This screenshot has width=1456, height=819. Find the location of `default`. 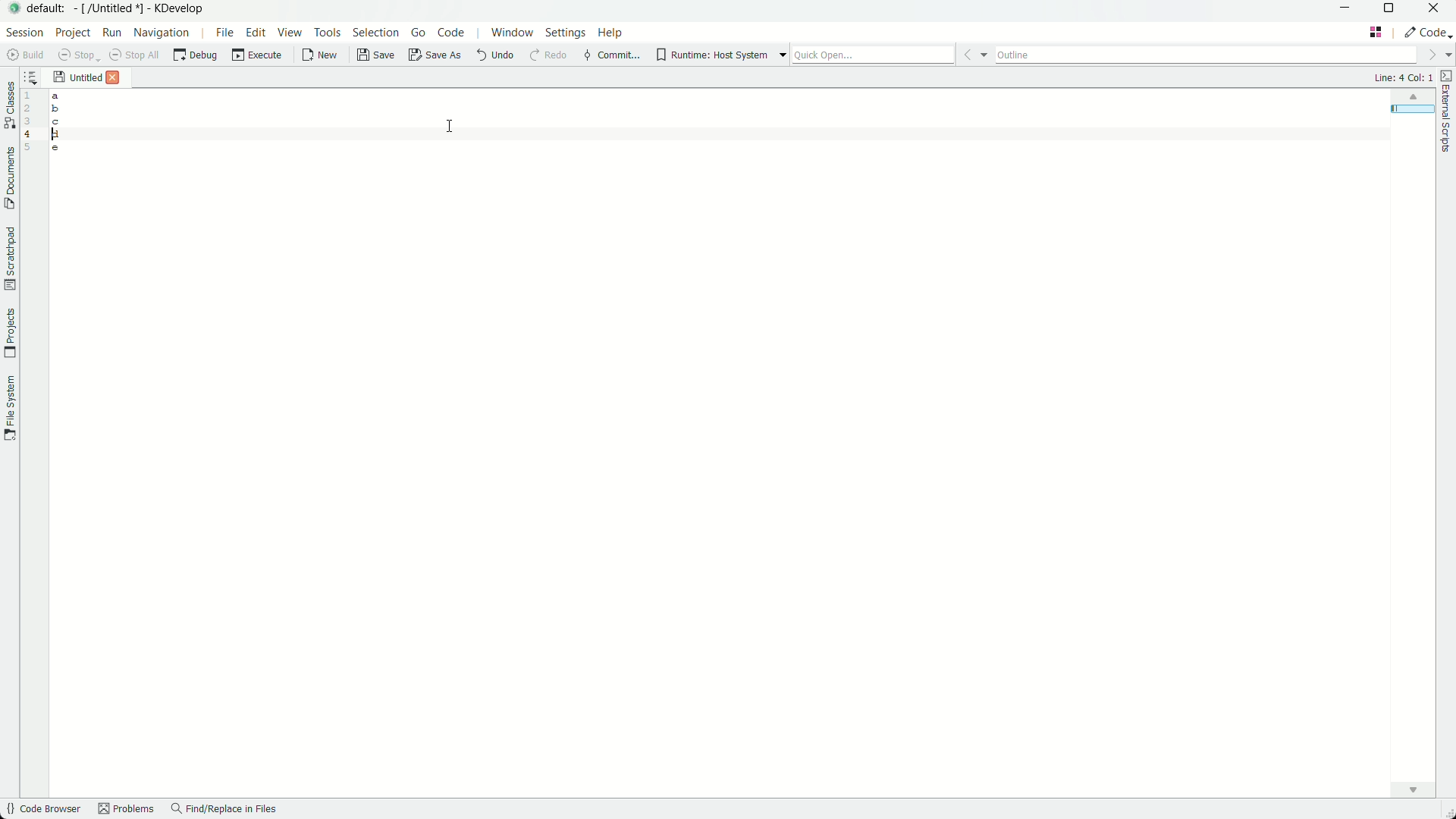

default is located at coordinates (49, 9).